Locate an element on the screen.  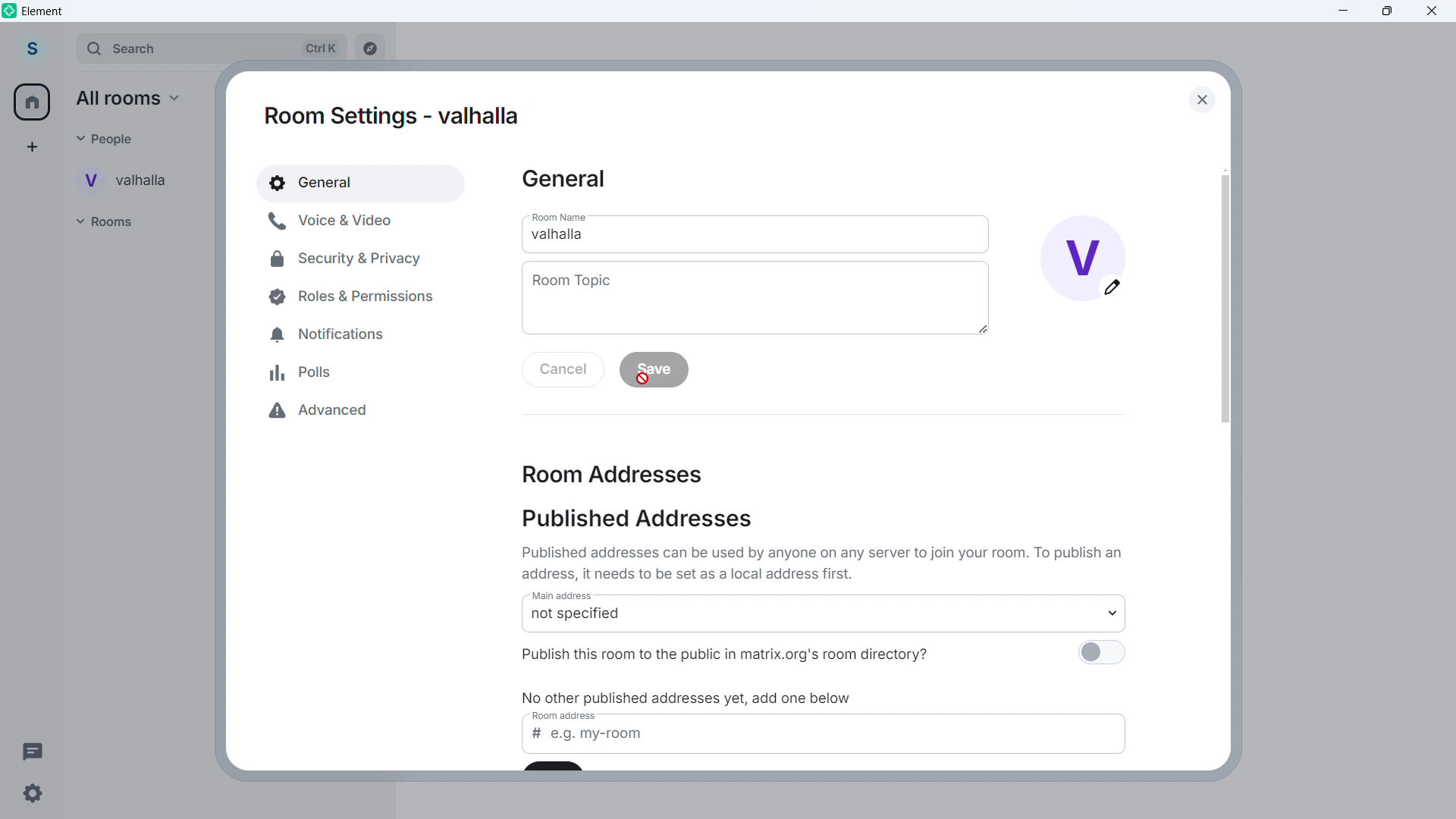
maximize is located at coordinates (1385, 12).